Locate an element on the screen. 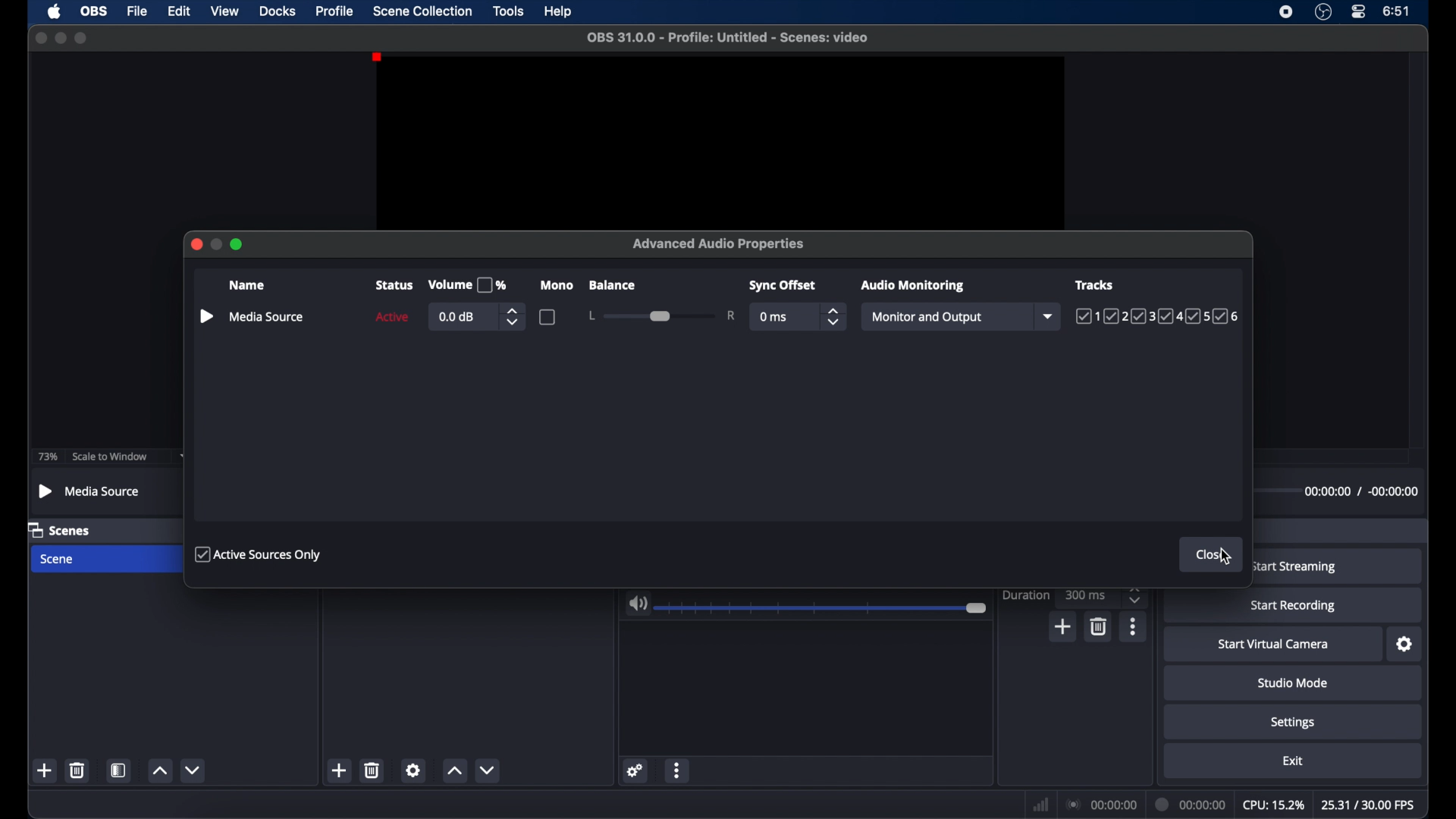 The width and height of the screenshot is (1456, 819). screen recorder icon is located at coordinates (1286, 11).